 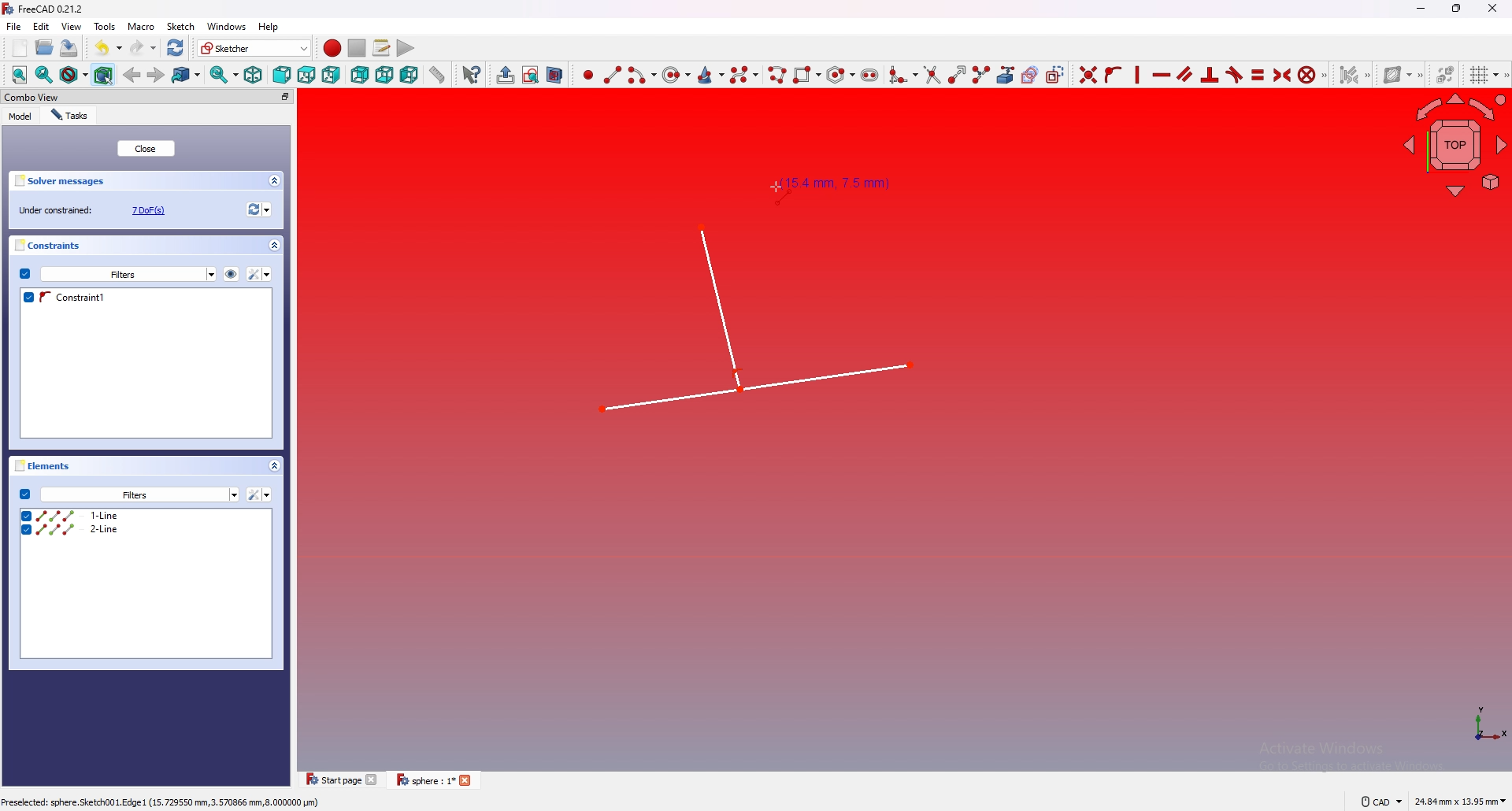 What do you see at coordinates (128, 273) in the screenshot?
I see `Filters` at bounding box center [128, 273].